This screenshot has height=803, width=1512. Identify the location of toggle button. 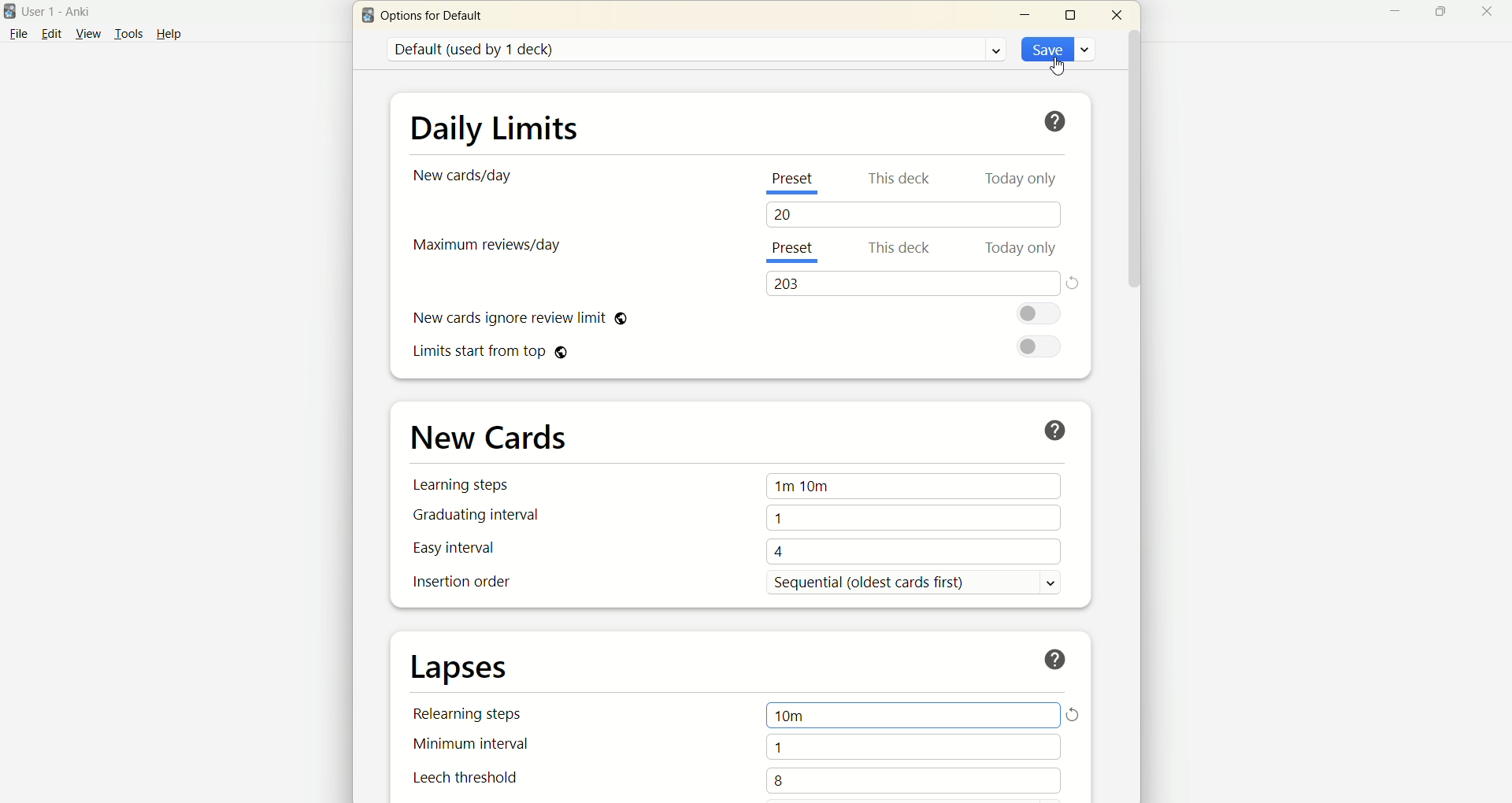
(1038, 348).